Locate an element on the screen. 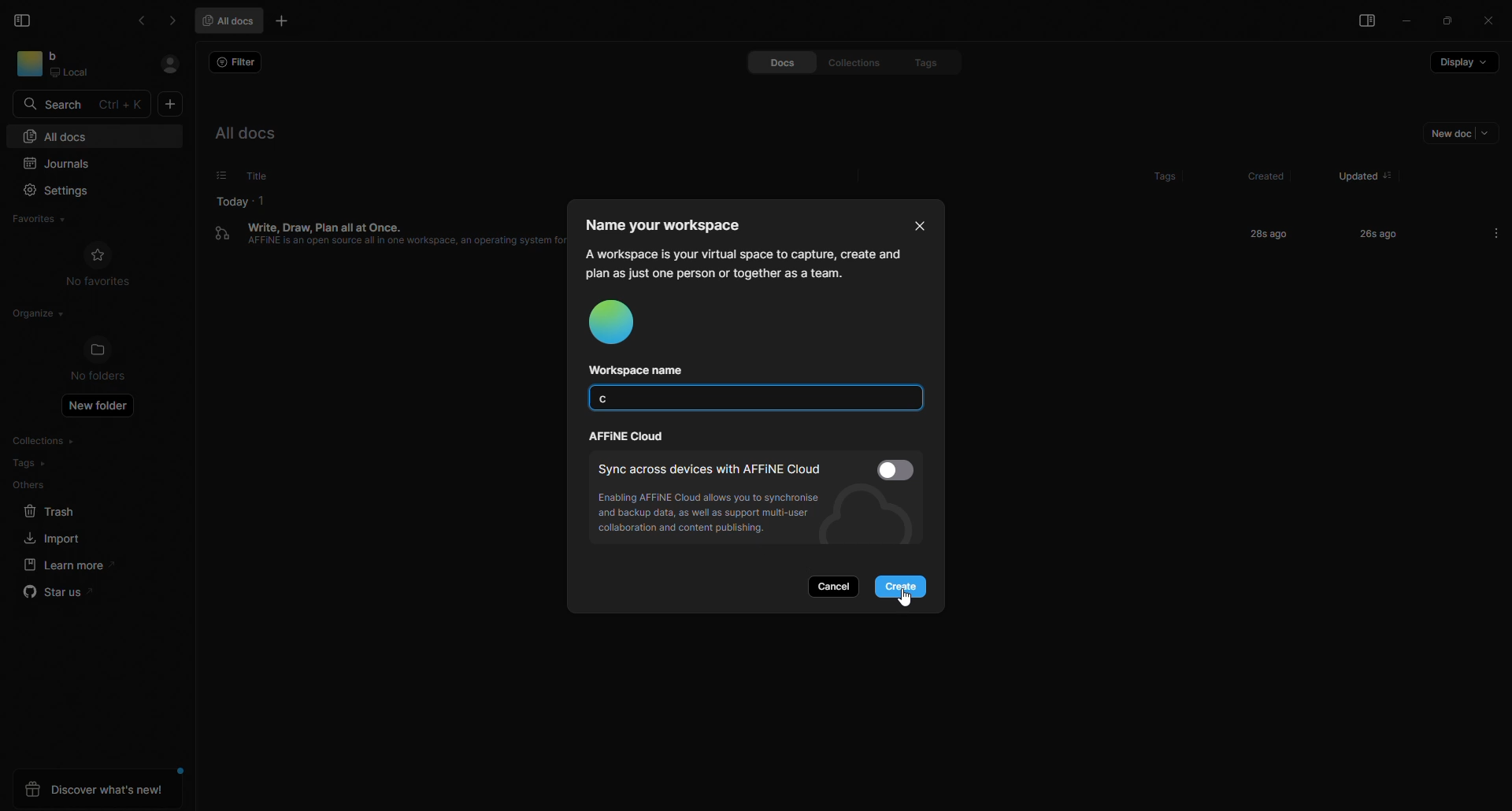 The width and height of the screenshot is (1512, 811). search is located at coordinates (57, 103).